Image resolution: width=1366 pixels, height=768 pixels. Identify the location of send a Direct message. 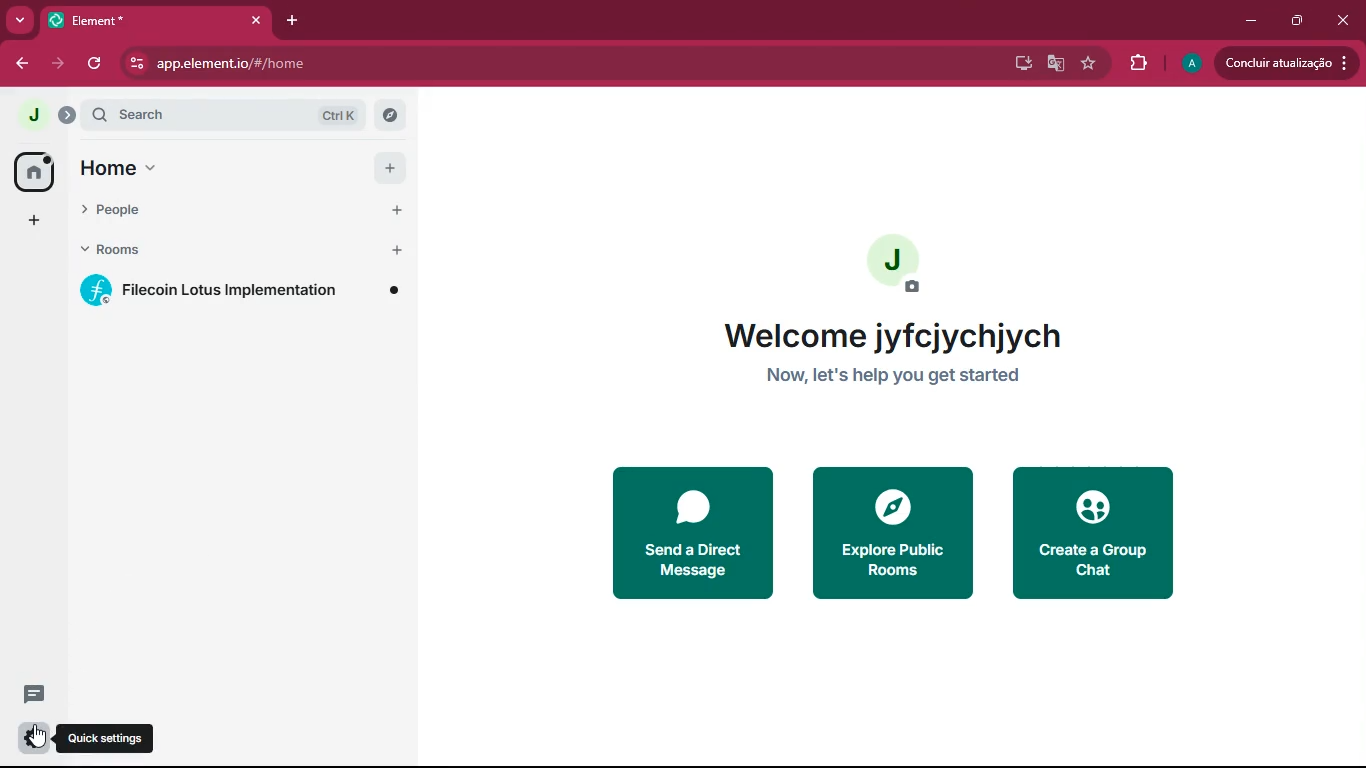
(686, 537).